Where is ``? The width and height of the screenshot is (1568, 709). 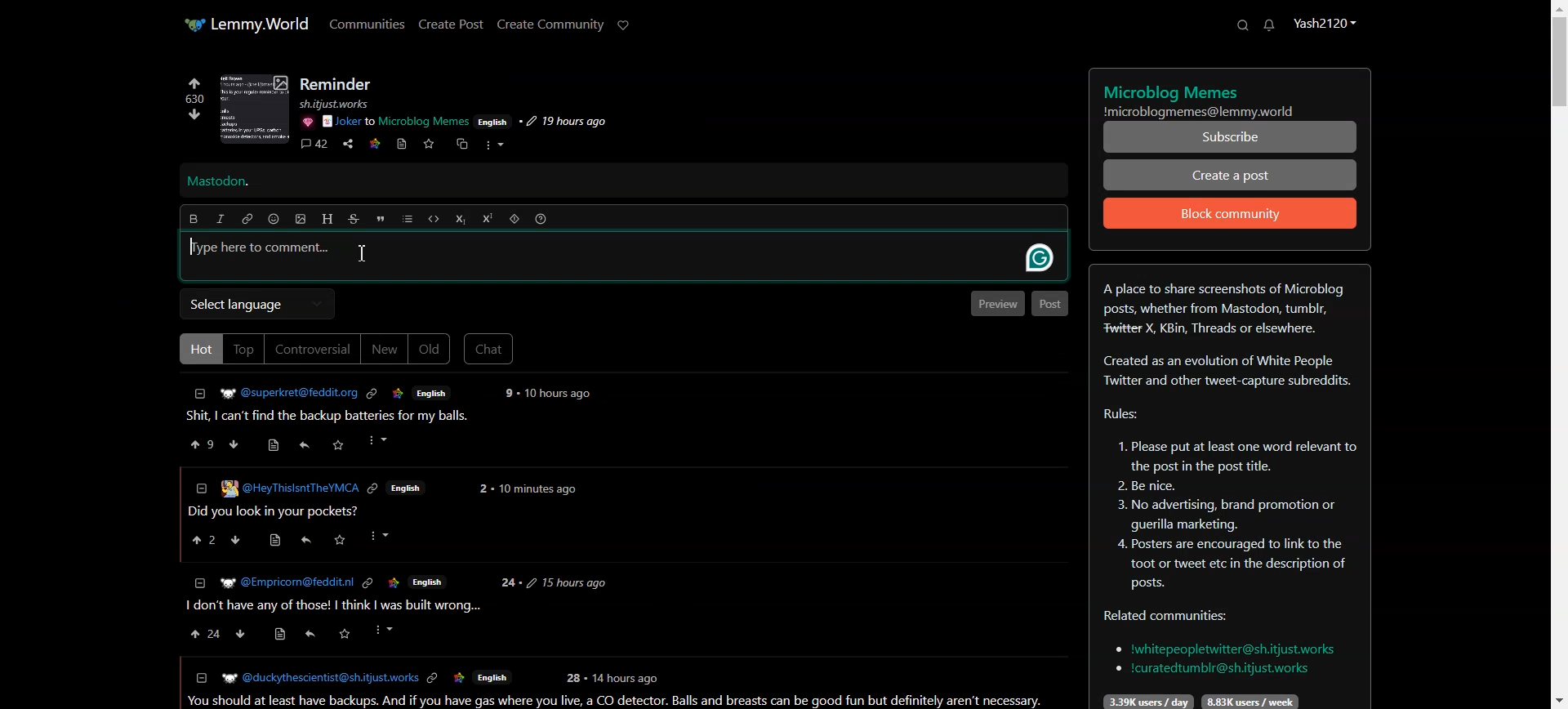  is located at coordinates (305, 540).